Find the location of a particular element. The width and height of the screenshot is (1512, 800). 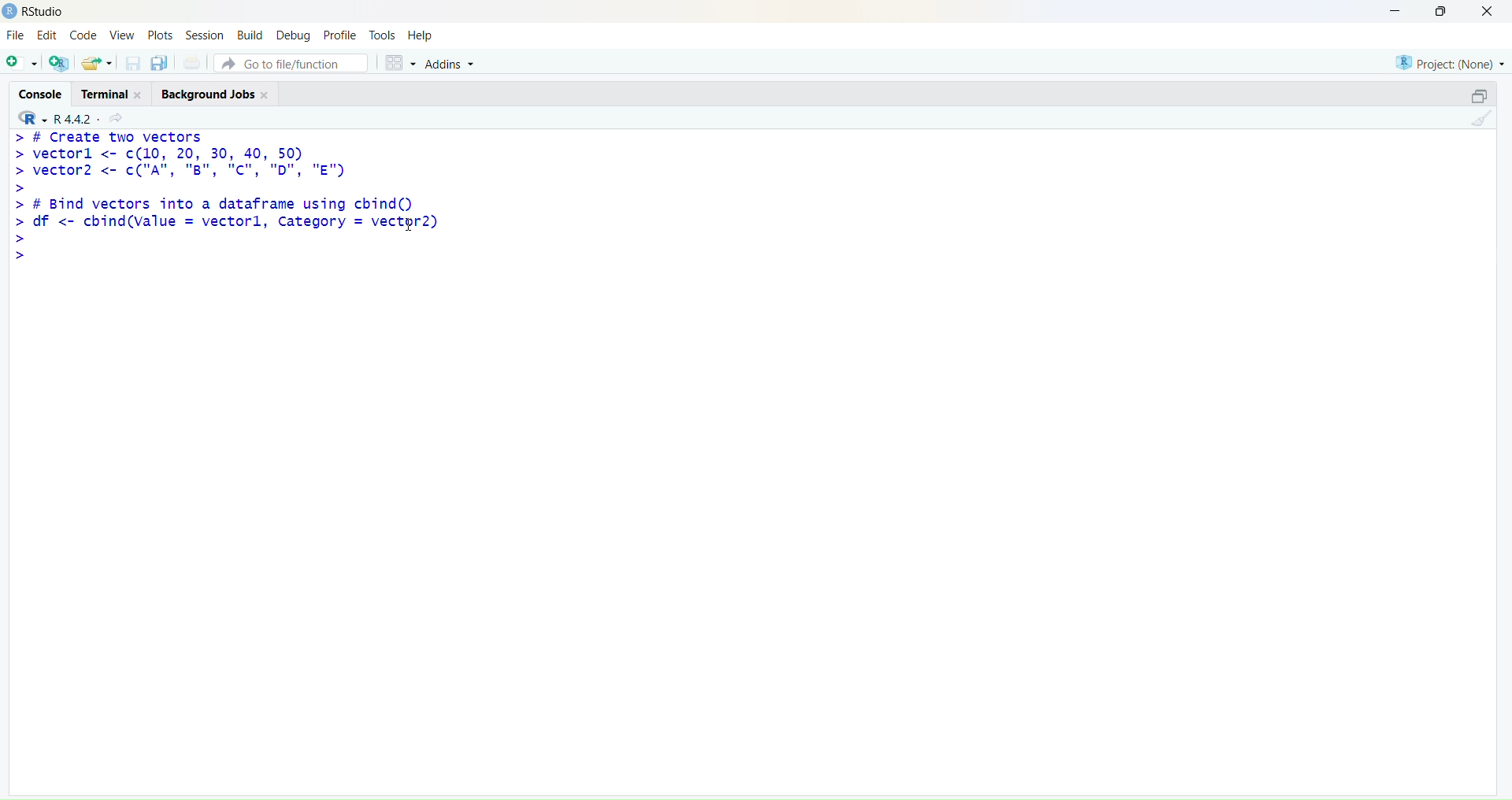

Background Jobs is located at coordinates (214, 94).